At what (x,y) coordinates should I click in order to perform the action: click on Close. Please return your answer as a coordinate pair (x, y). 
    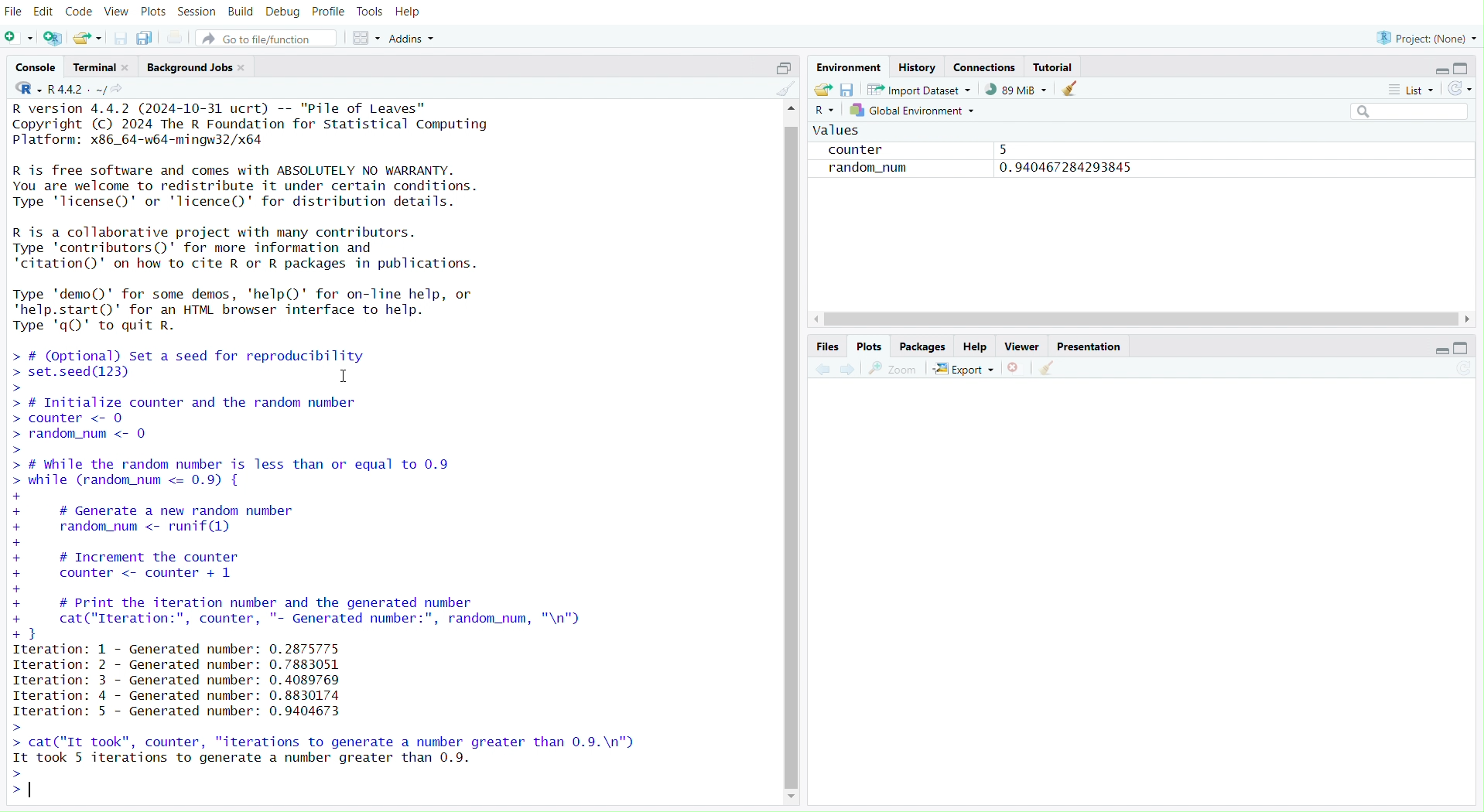
    Looking at the image, I should click on (1018, 367).